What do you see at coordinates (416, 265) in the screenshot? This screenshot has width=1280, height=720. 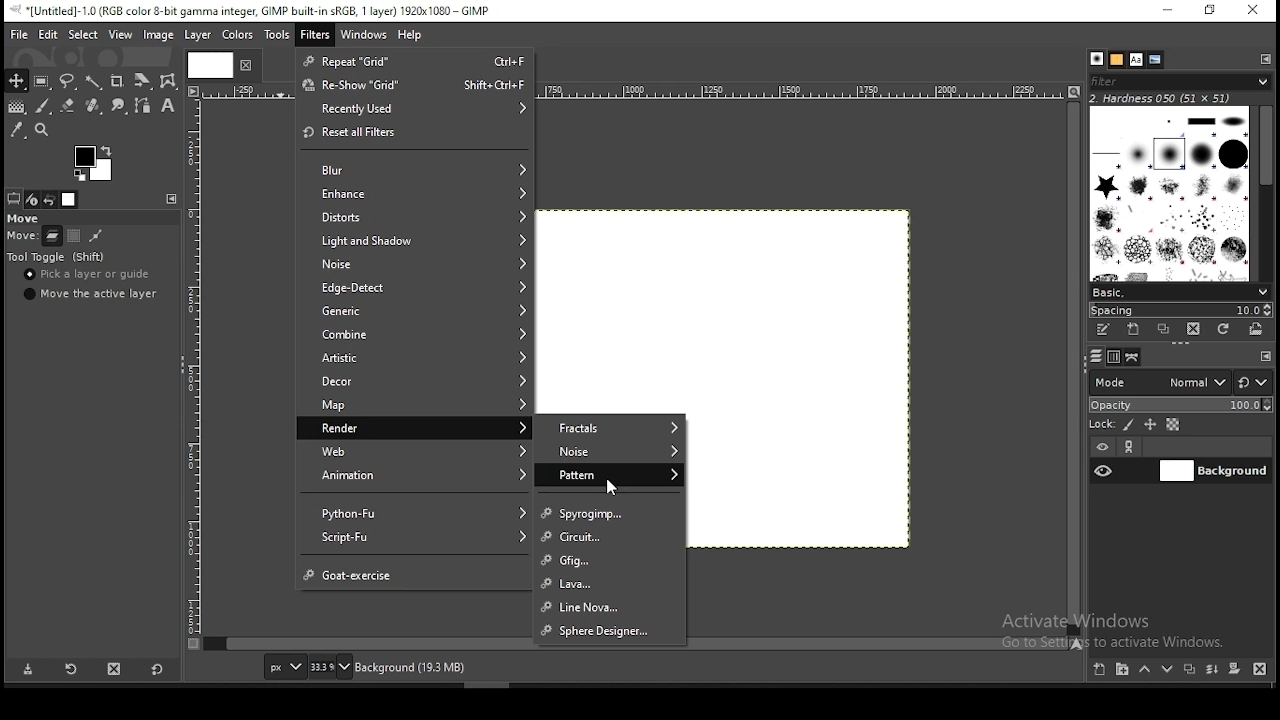 I see `noise` at bounding box center [416, 265].